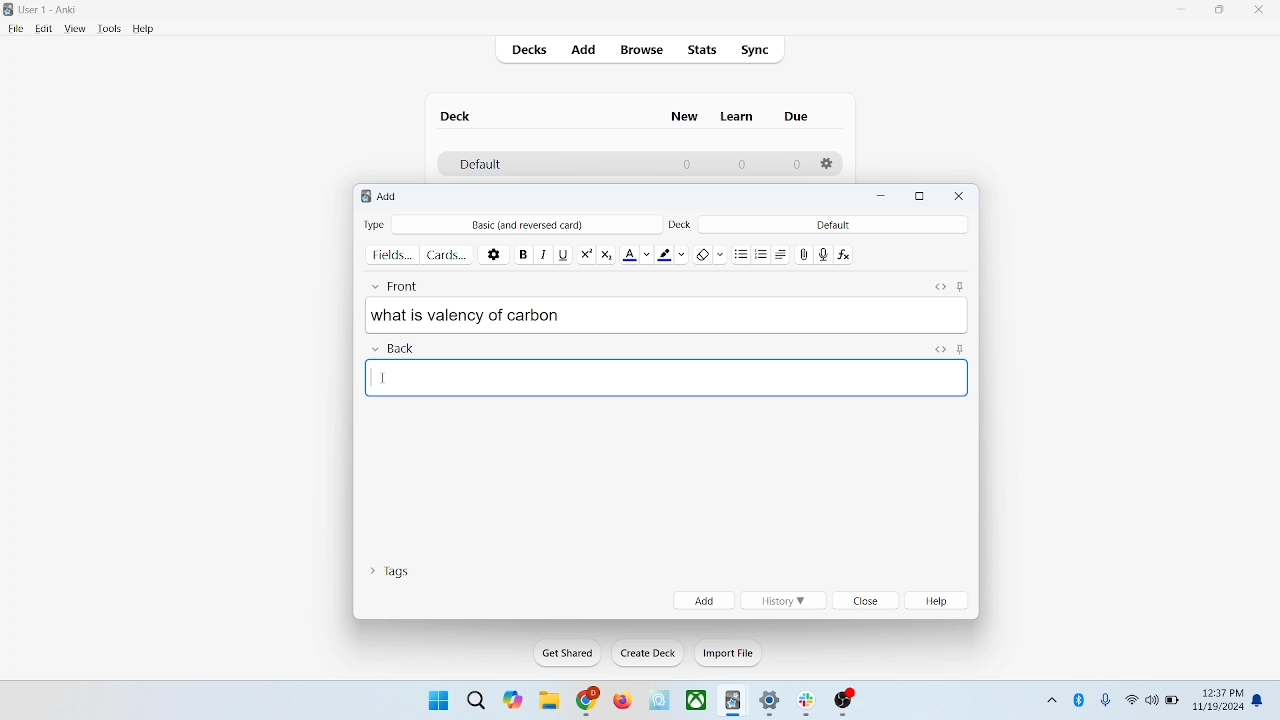 The width and height of the screenshot is (1280, 720). Describe the element at coordinates (685, 116) in the screenshot. I see `new` at that location.